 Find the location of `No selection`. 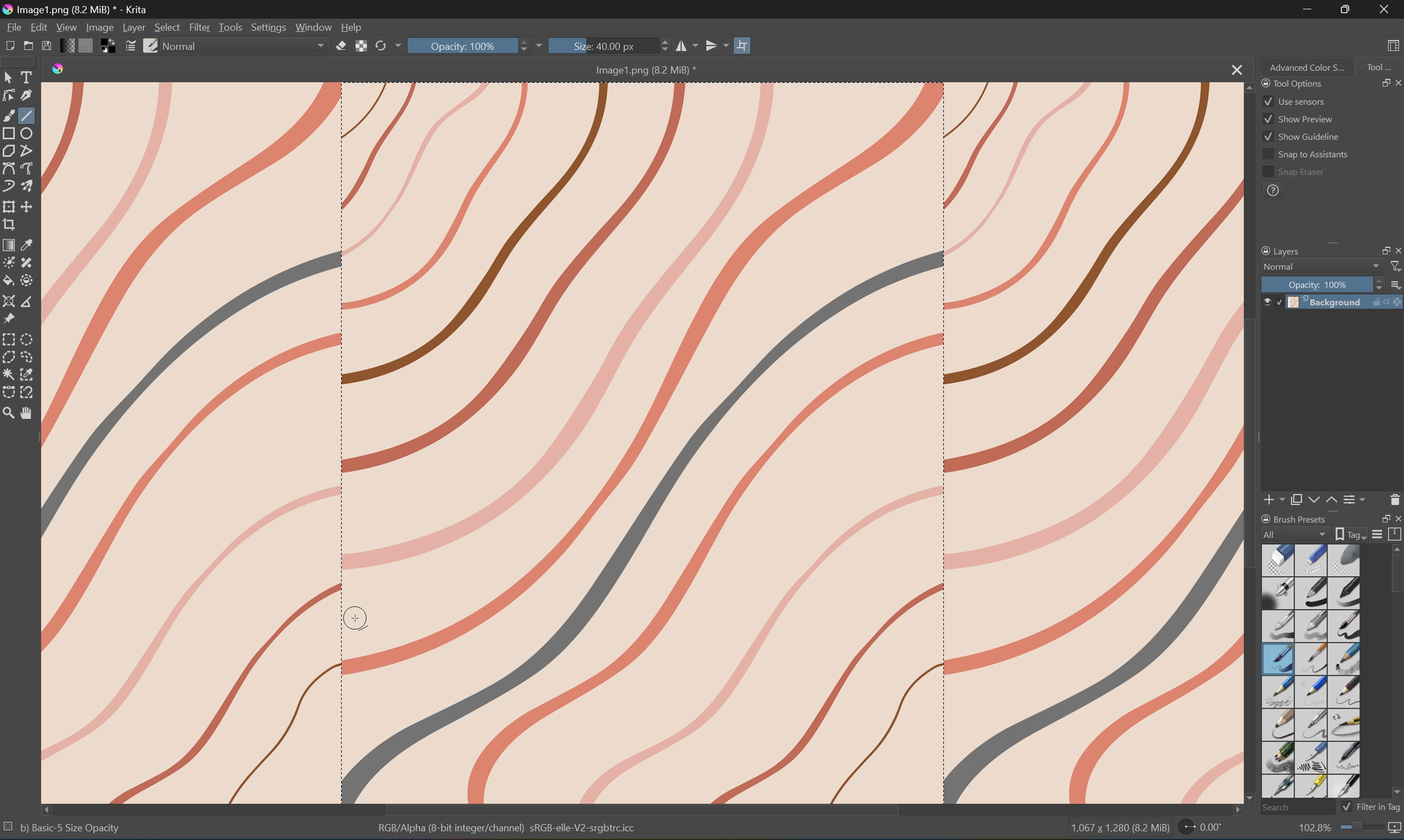

No selection is located at coordinates (9, 829).